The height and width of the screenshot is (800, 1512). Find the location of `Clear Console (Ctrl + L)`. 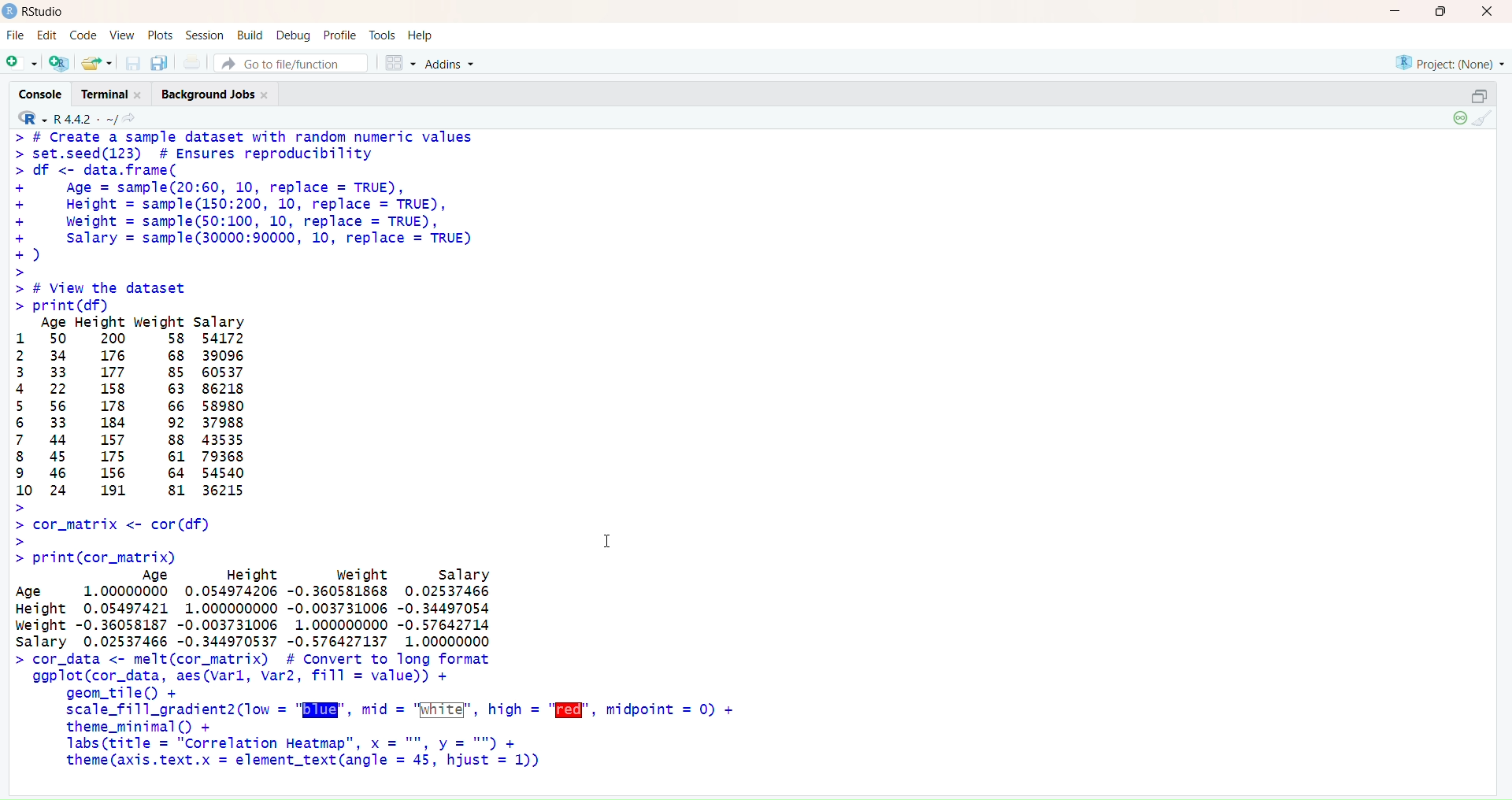

Clear Console (Ctrl + L) is located at coordinates (1485, 120).